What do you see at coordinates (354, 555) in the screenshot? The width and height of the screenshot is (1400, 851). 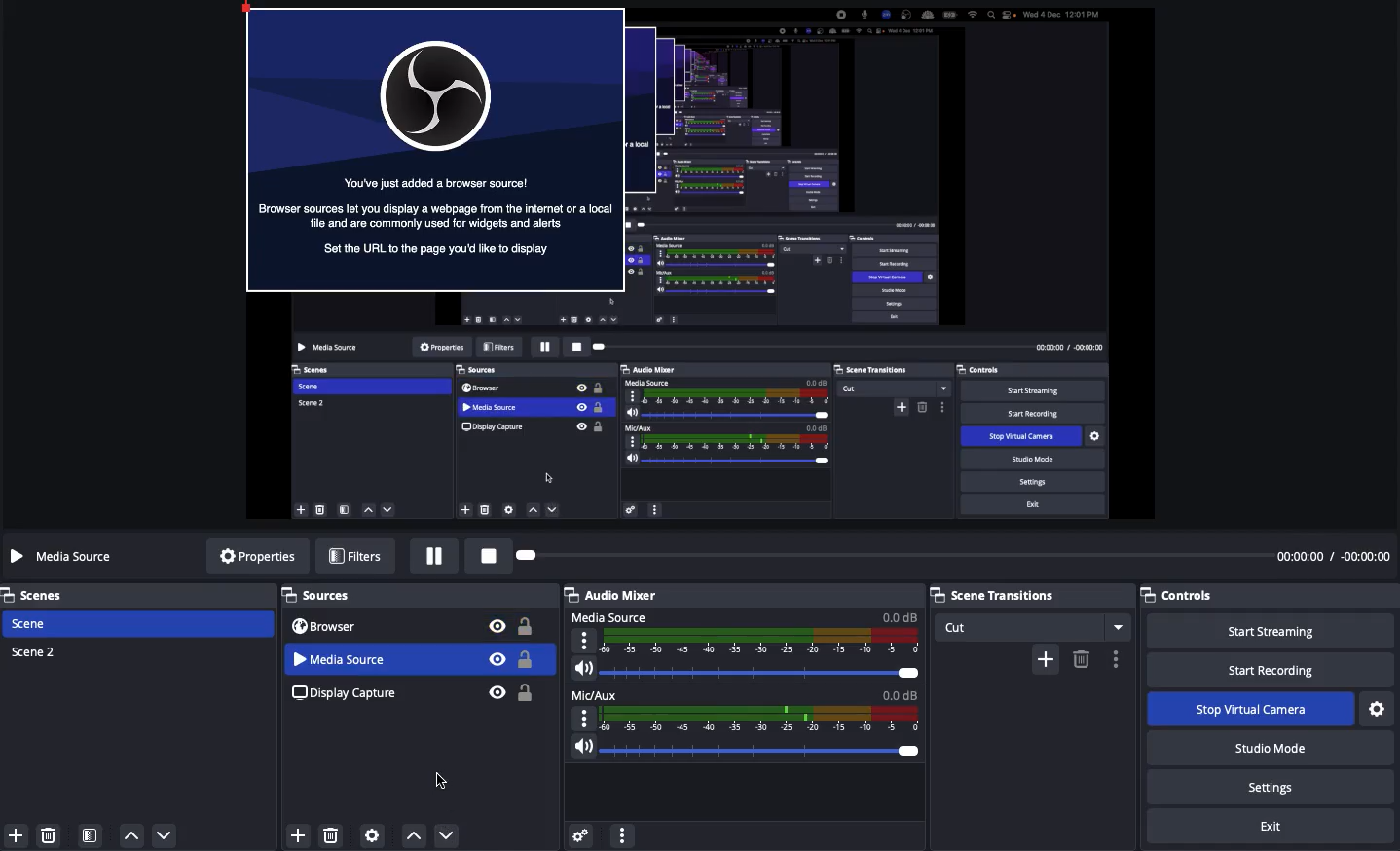 I see `Filters` at bounding box center [354, 555].